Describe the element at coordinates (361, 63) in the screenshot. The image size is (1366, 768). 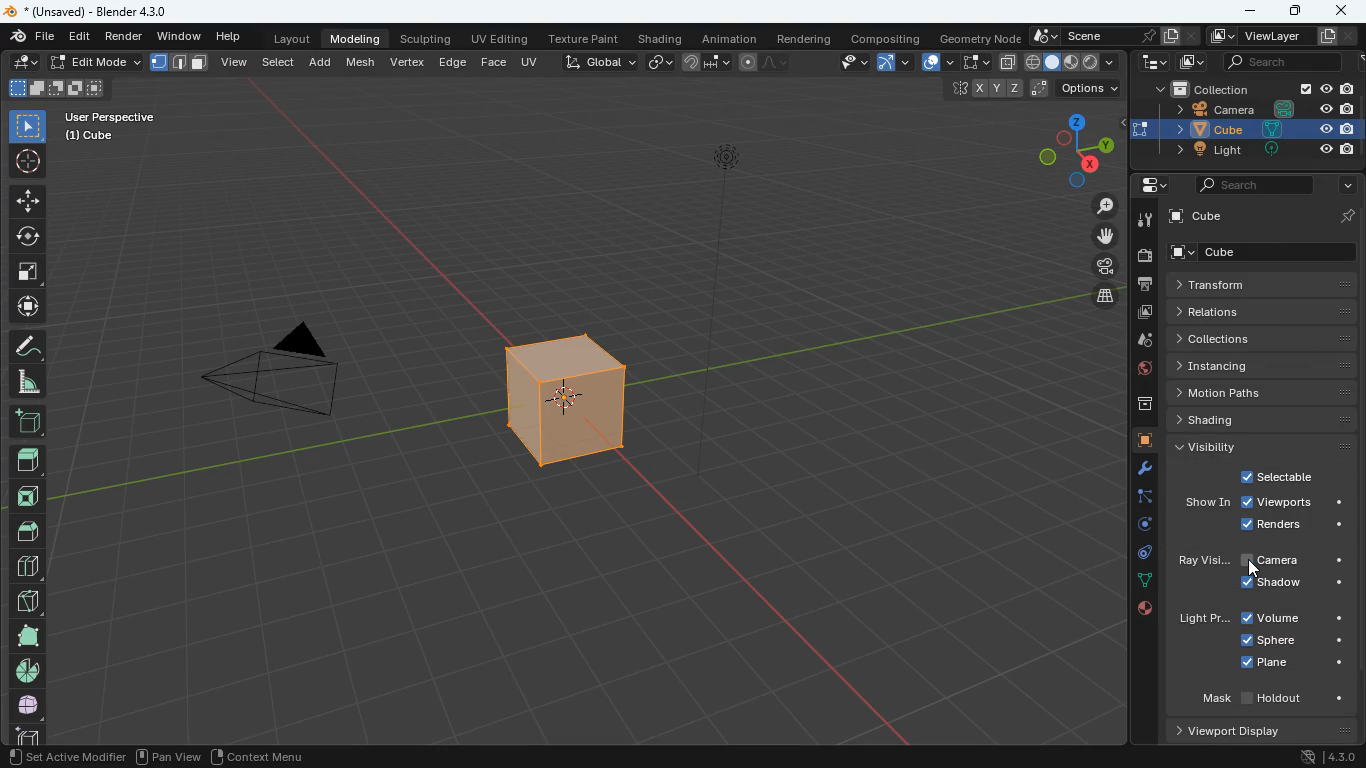
I see `mesh` at that location.